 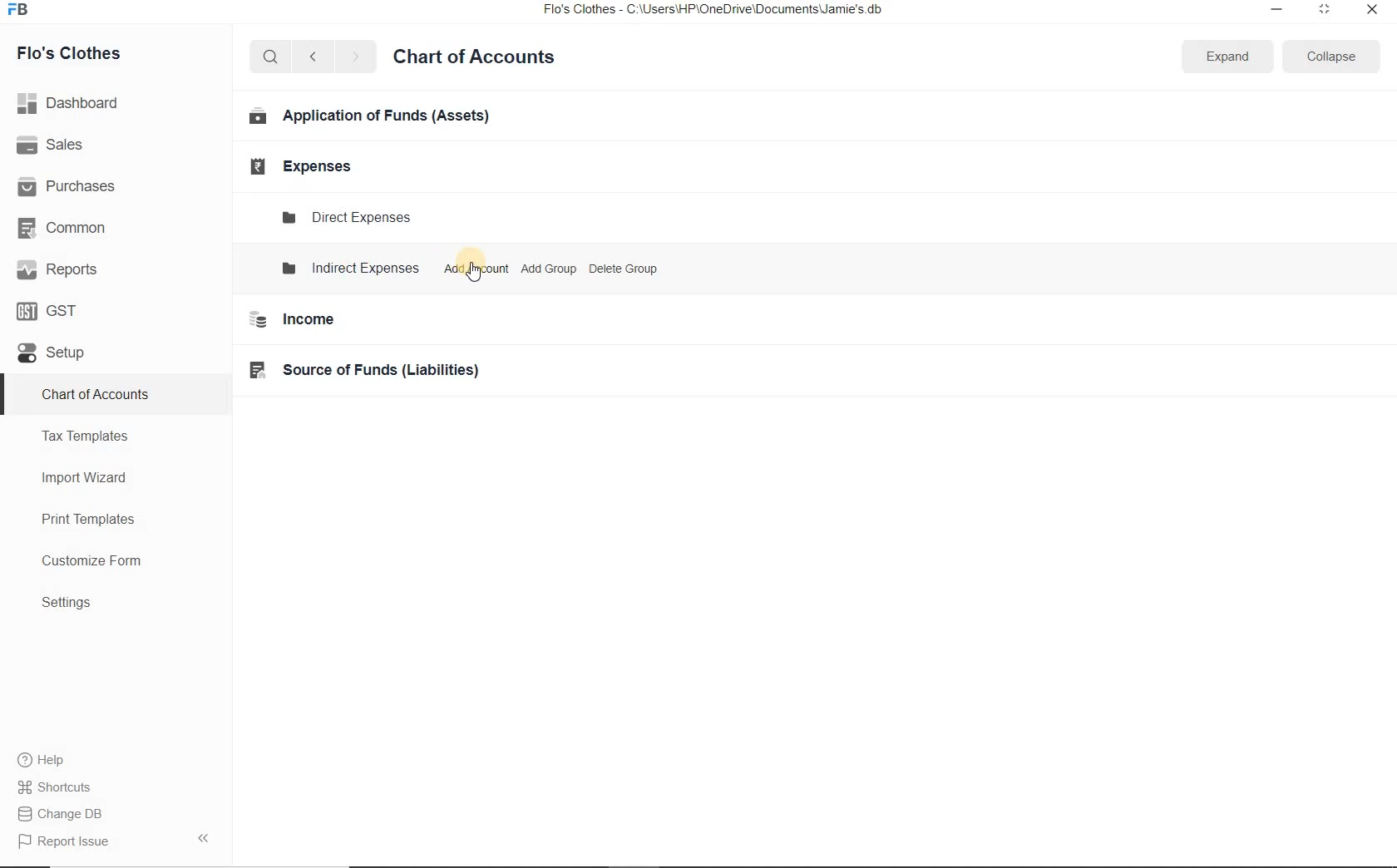 I want to click on minimize, so click(x=1277, y=11).